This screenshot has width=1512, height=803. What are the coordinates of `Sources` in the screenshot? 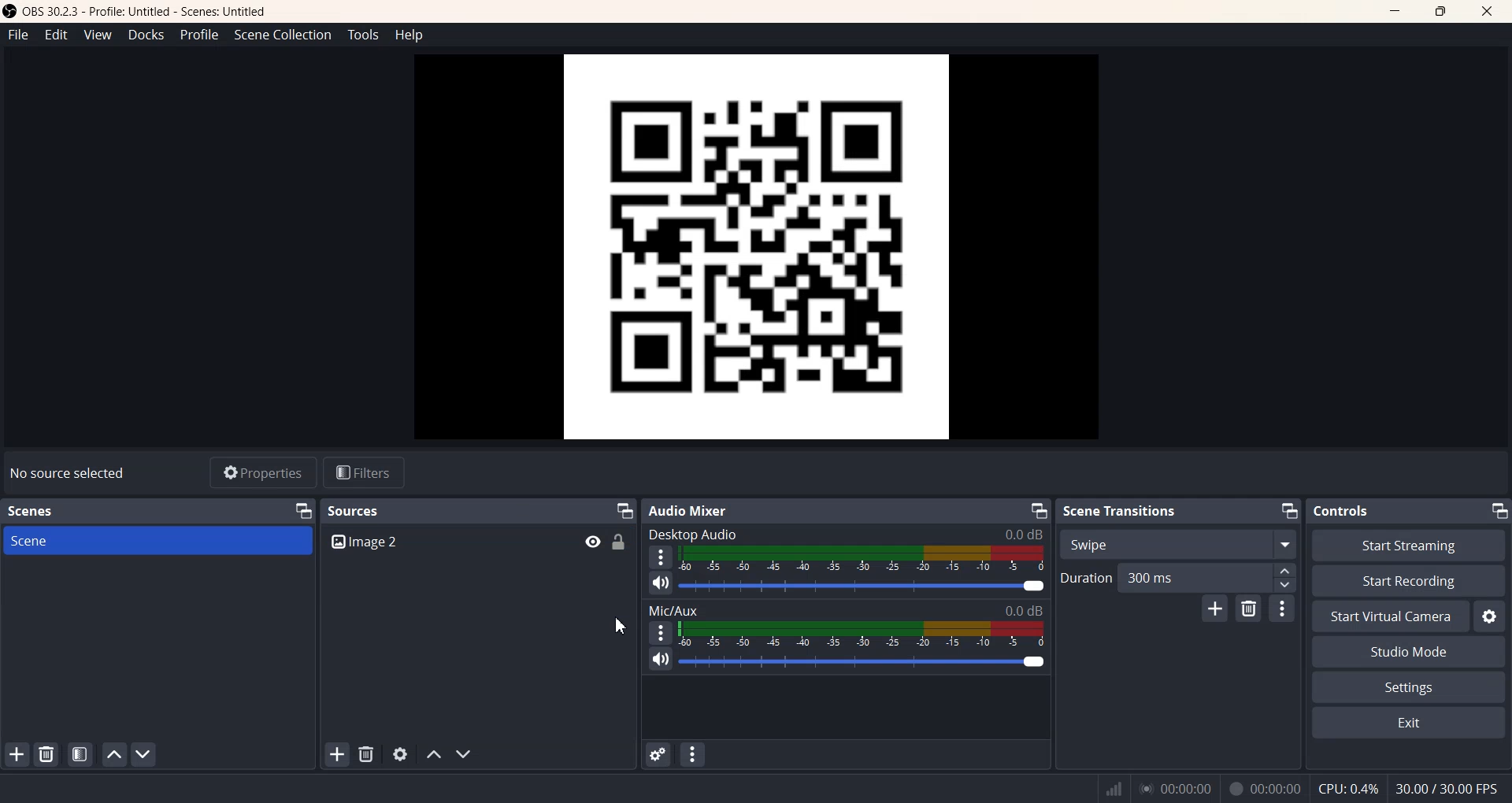 It's located at (358, 511).